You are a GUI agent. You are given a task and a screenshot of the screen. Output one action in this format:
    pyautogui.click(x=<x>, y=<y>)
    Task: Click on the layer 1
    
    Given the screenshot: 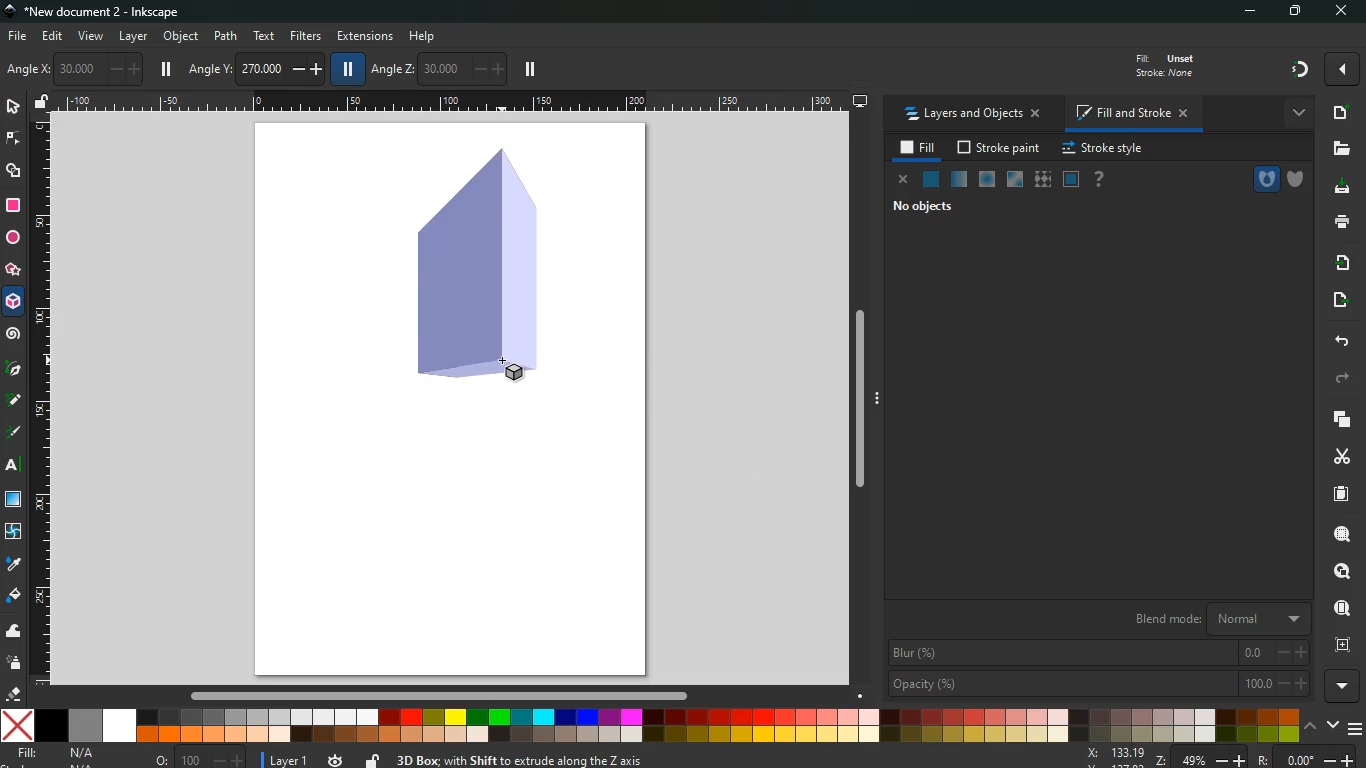 What is the action you would take?
    pyautogui.click(x=290, y=757)
    